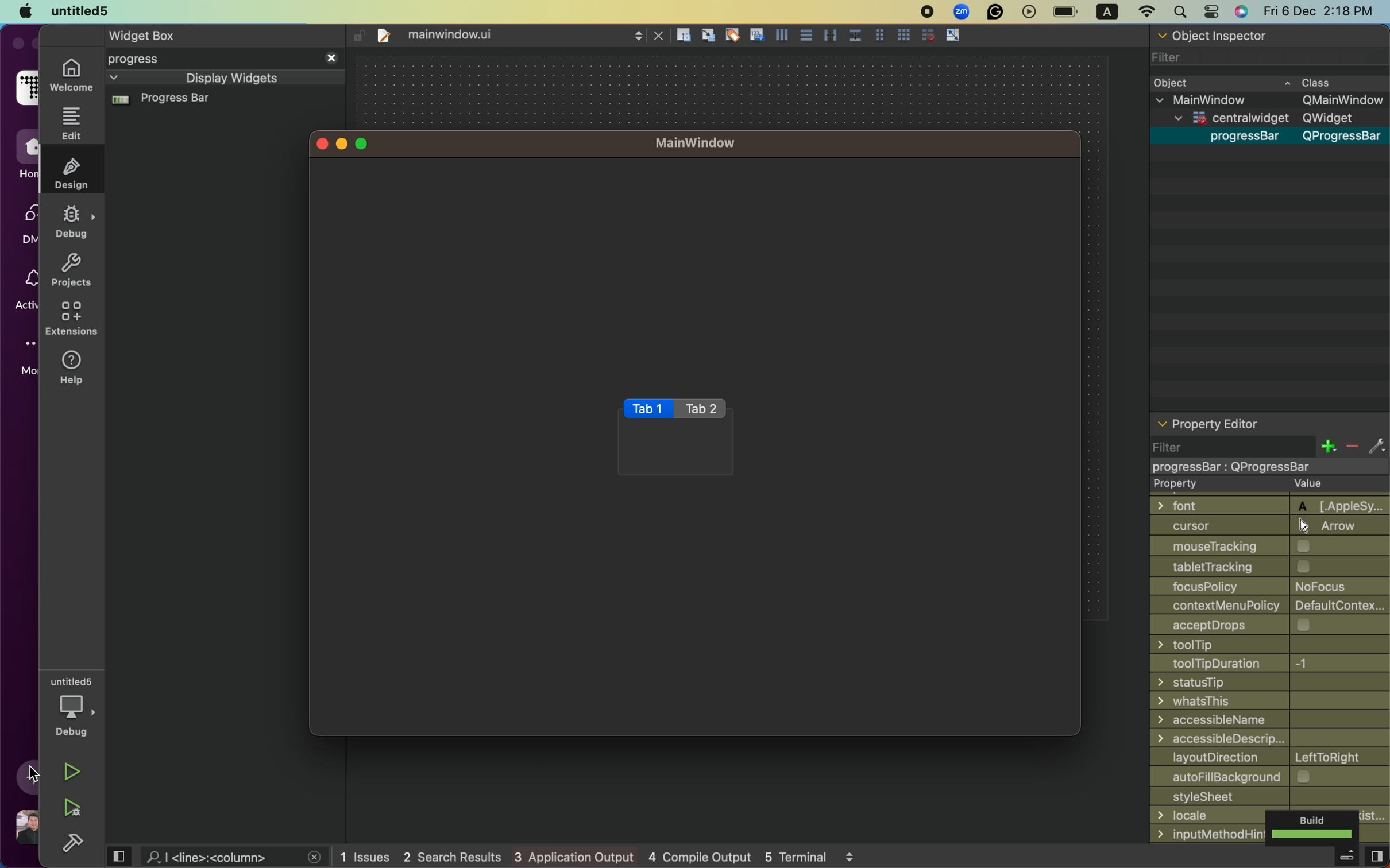  I want to click on menupolicy, so click(1271, 606).